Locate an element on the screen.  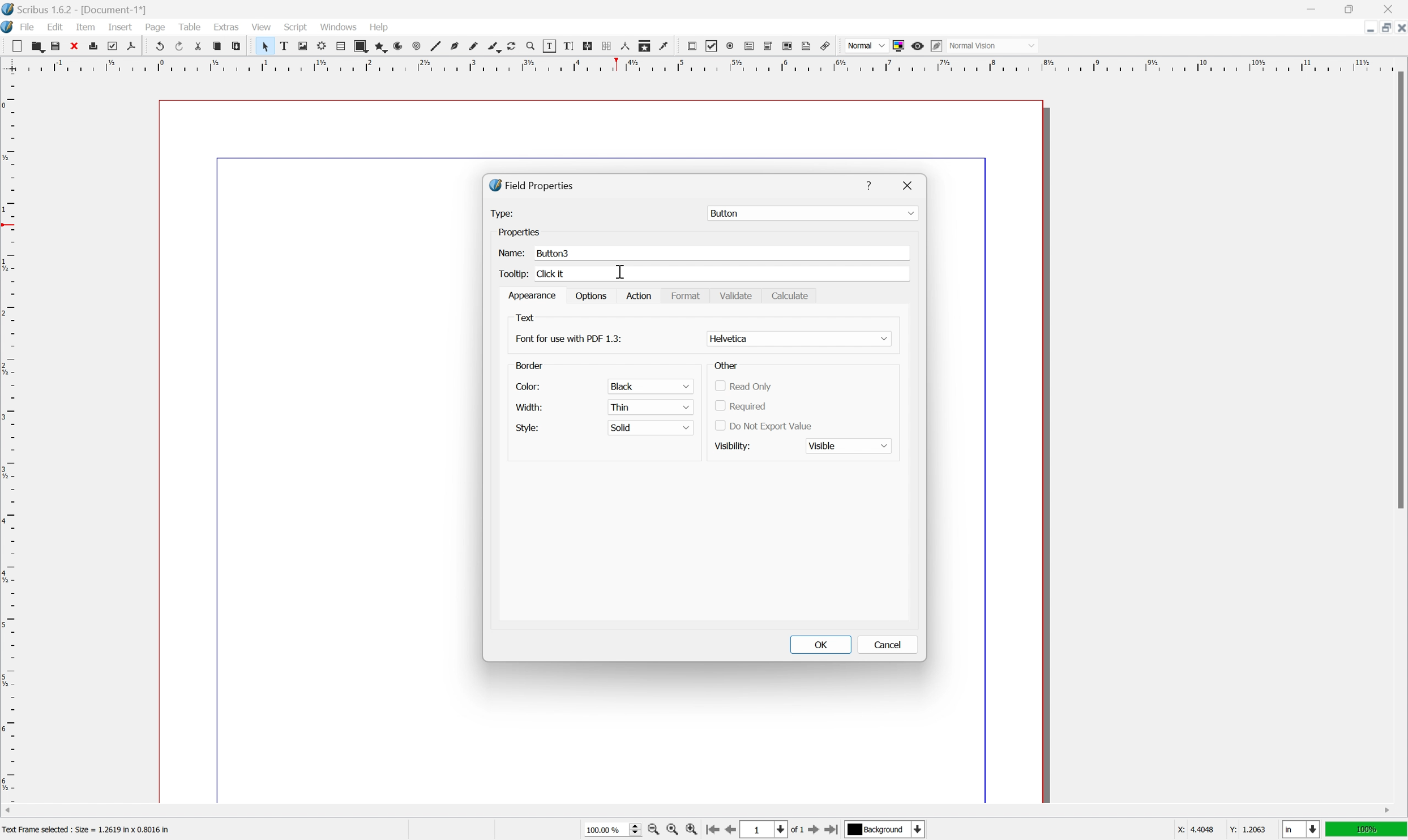
X: 44048 Y: 1.2063 is located at coordinates (1219, 829).